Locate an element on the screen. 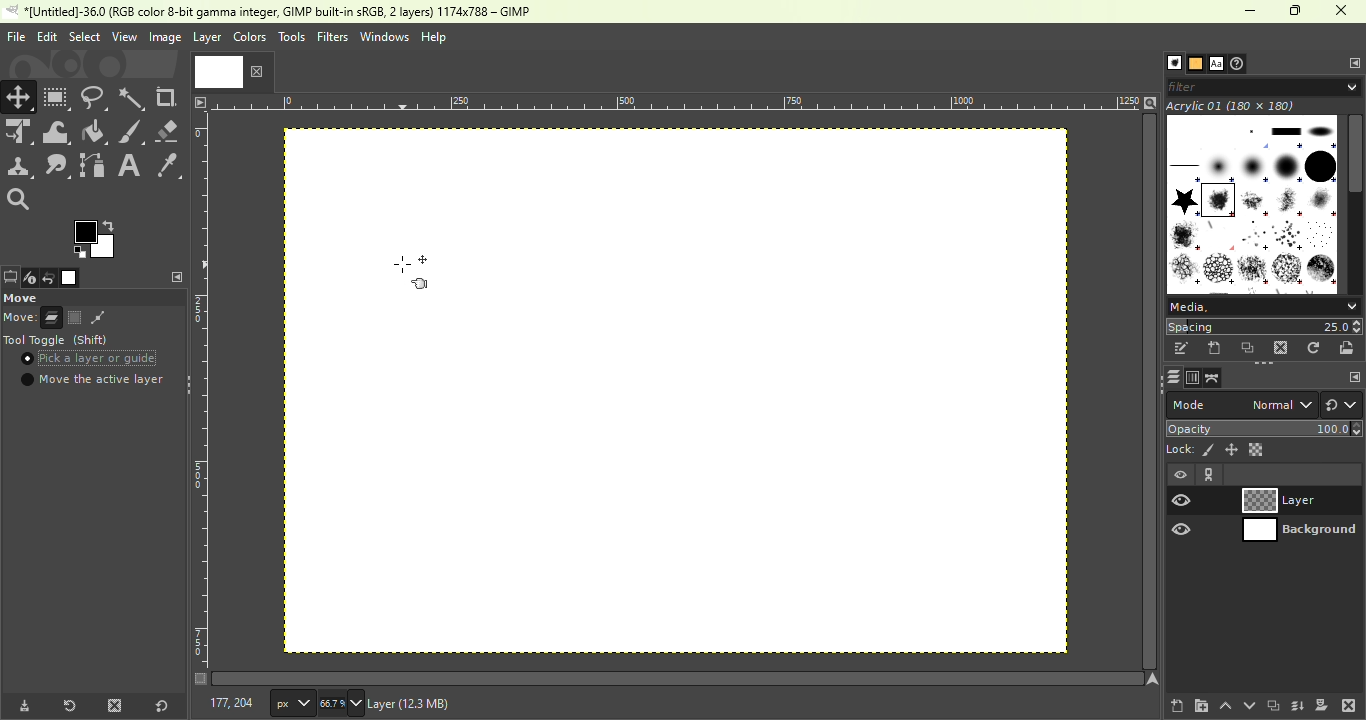  Apply the effect of the layer mask and remove it is located at coordinates (1322, 704).